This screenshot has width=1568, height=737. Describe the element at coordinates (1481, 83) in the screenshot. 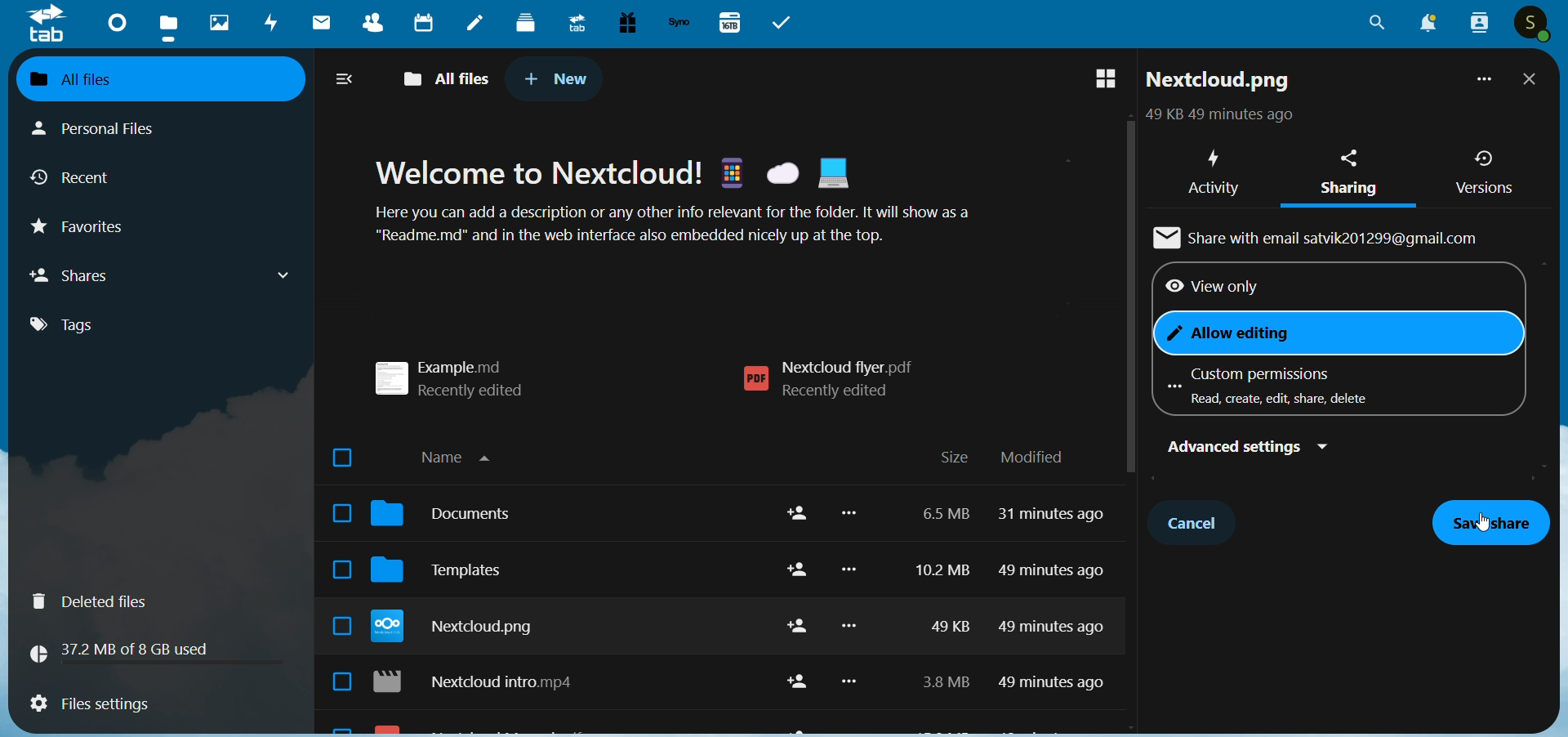

I see `more` at that location.